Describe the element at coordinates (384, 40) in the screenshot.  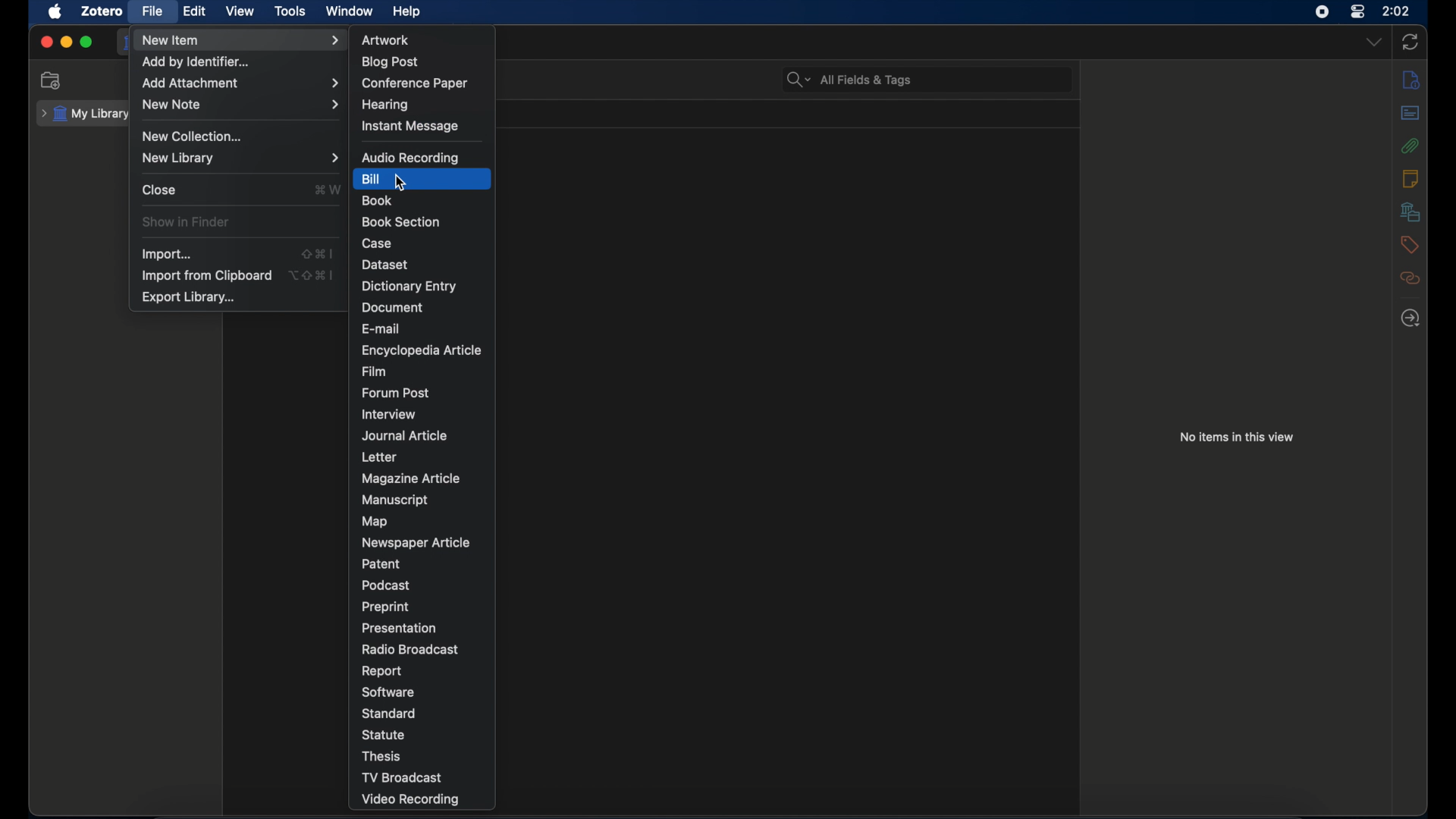
I see `artwork` at that location.